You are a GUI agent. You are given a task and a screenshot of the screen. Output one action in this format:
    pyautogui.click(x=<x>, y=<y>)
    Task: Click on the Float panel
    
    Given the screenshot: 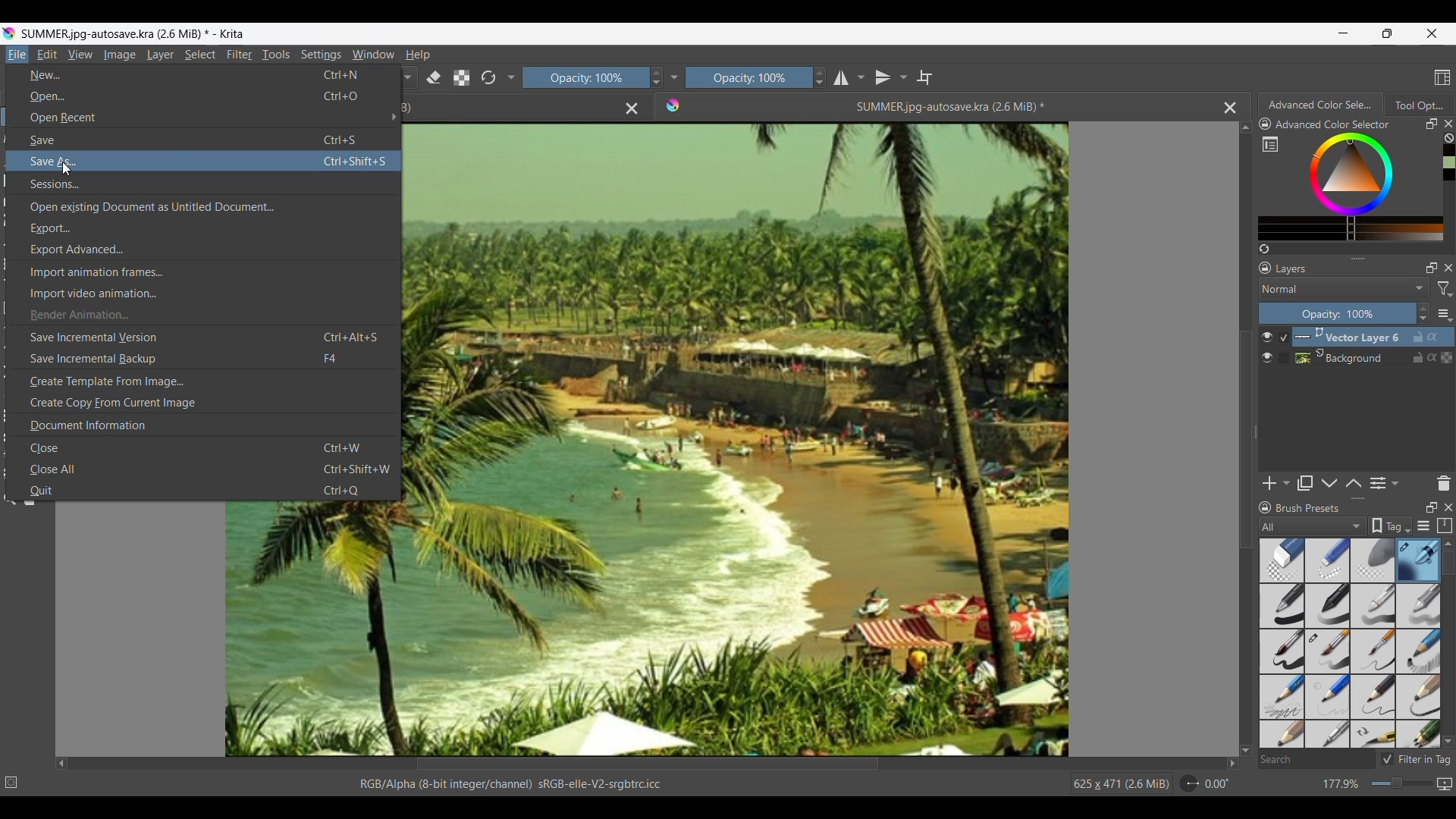 What is the action you would take?
    pyautogui.click(x=1431, y=124)
    